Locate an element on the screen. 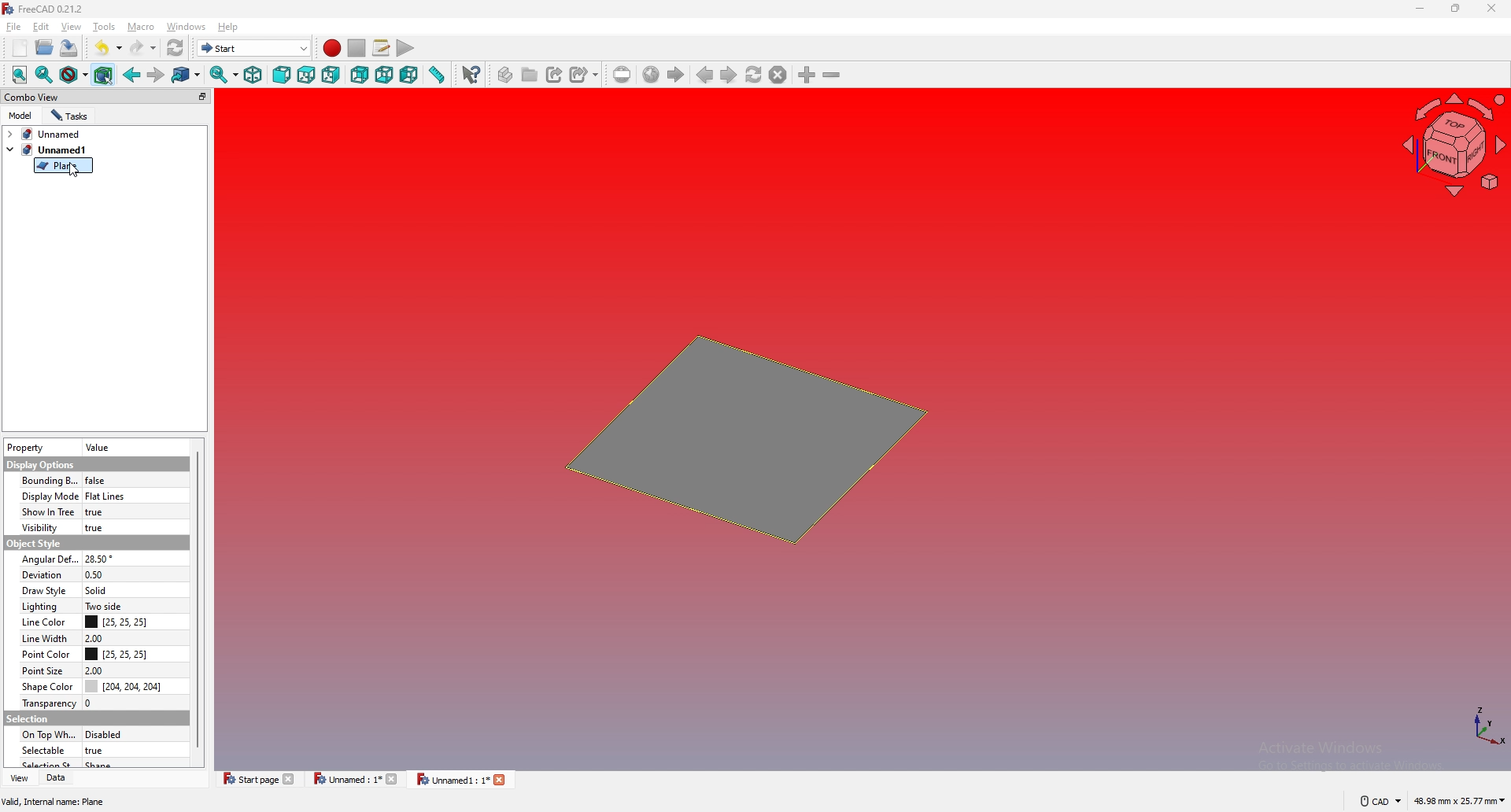 This screenshot has height=812, width=1511. line width is located at coordinates (41, 639).